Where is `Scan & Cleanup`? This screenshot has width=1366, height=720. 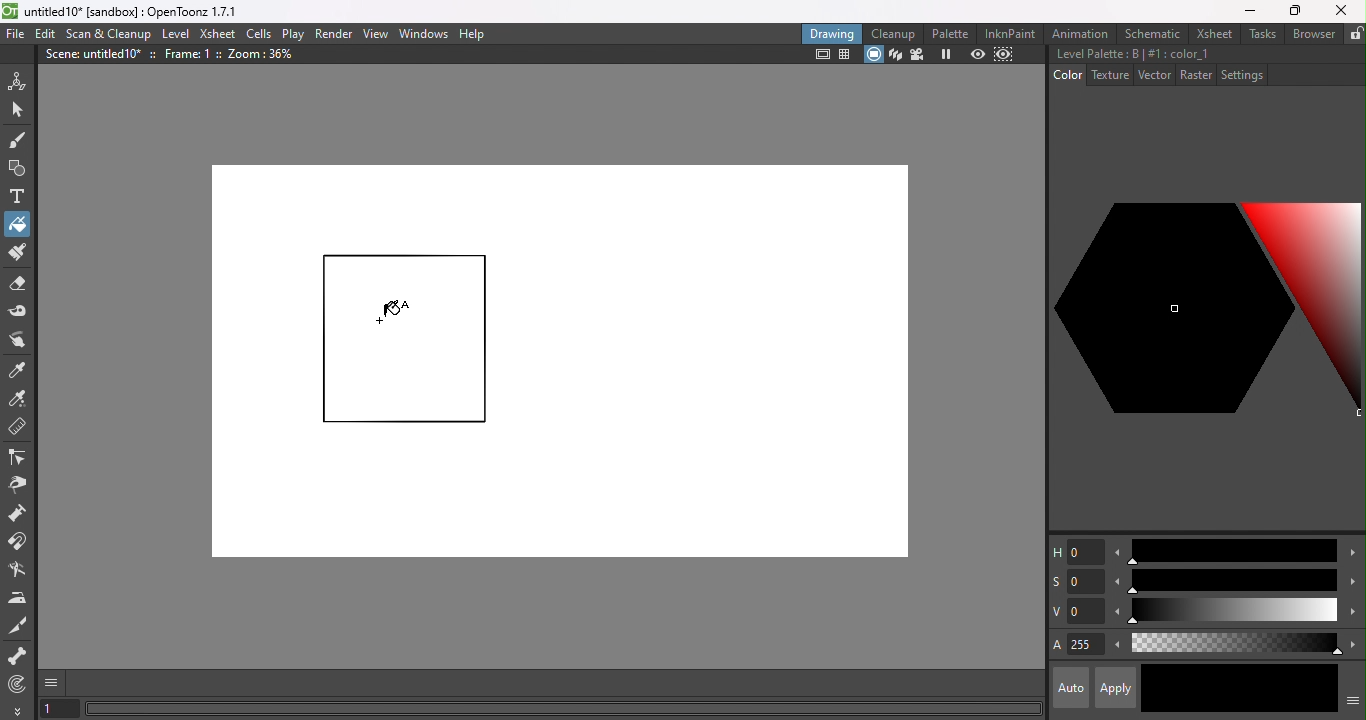
Scan & Cleanup is located at coordinates (109, 33).